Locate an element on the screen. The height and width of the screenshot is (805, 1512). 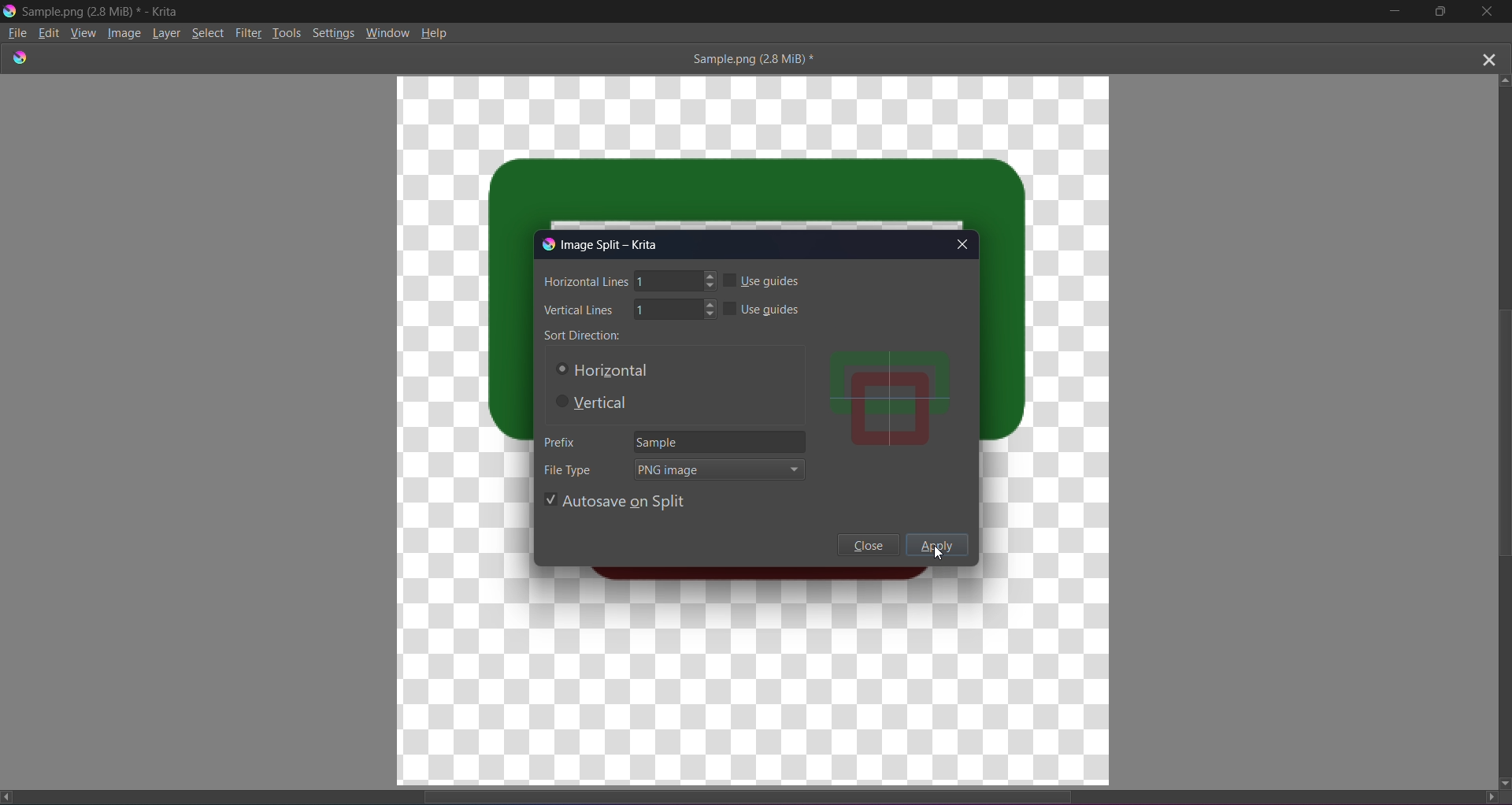
Scroll up is located at coordinates (1506, 78).